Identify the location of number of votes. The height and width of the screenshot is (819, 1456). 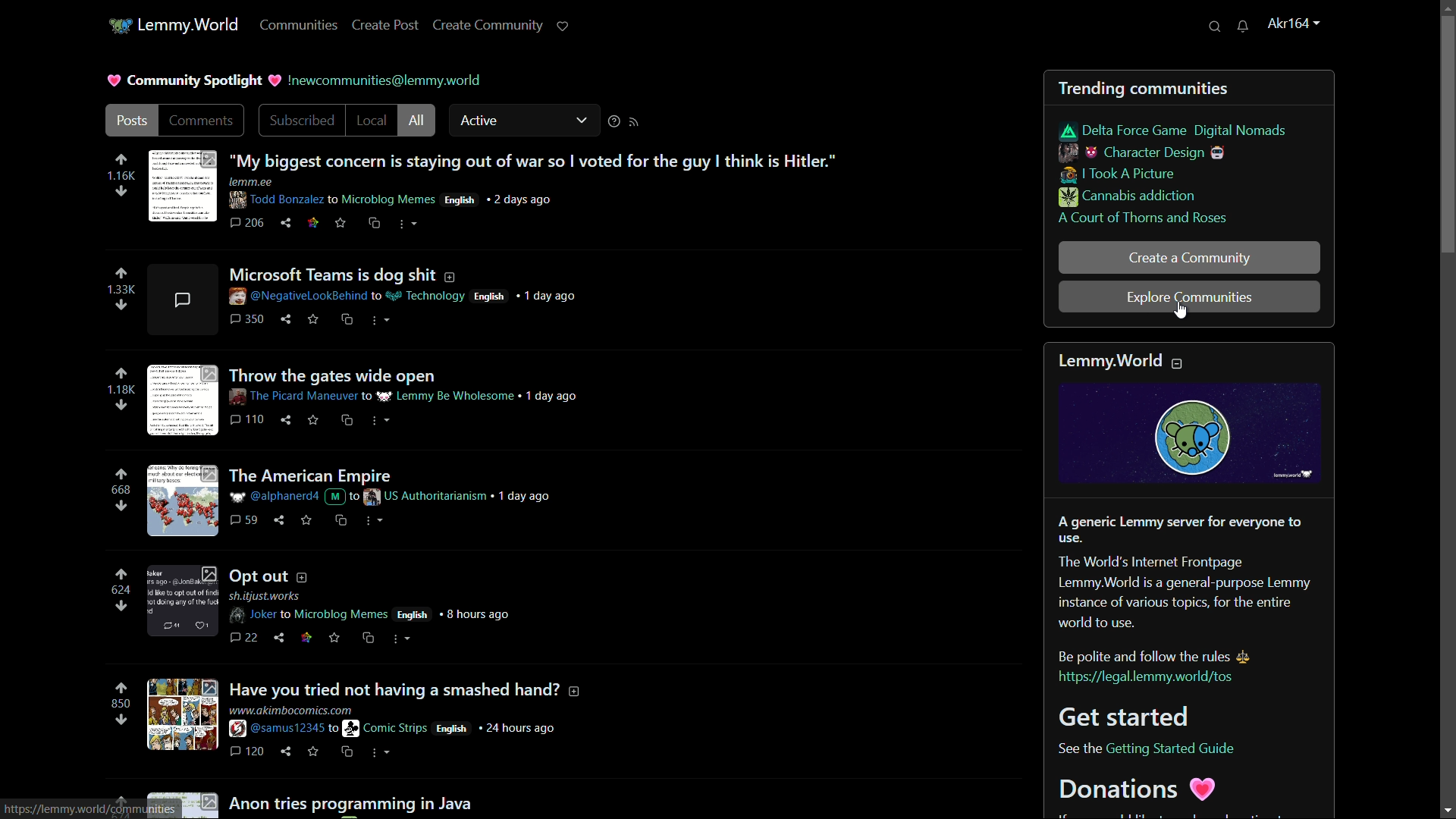
(120, 589).